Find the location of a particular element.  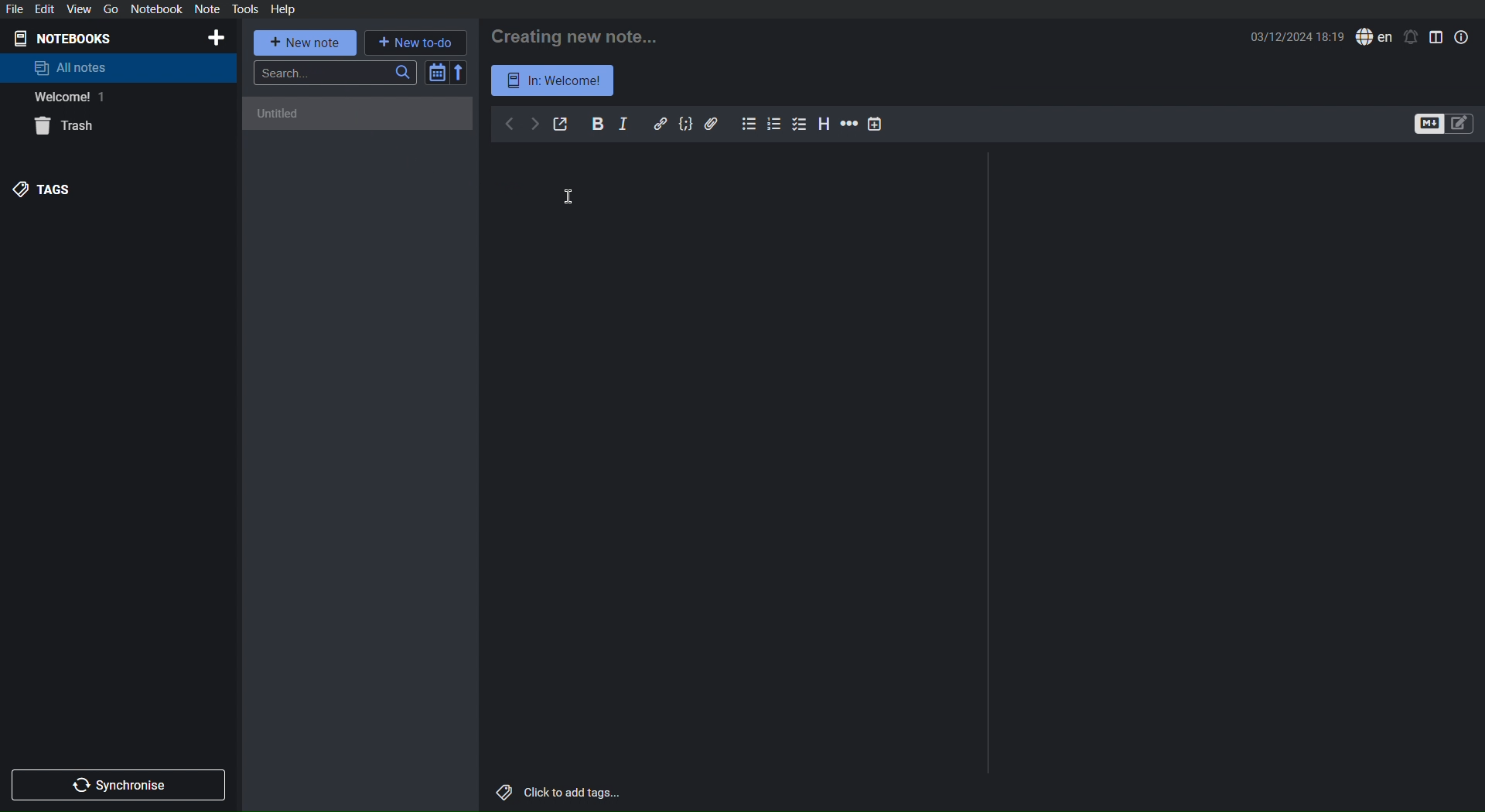

Welcome! is located at coordinates (65, 97).